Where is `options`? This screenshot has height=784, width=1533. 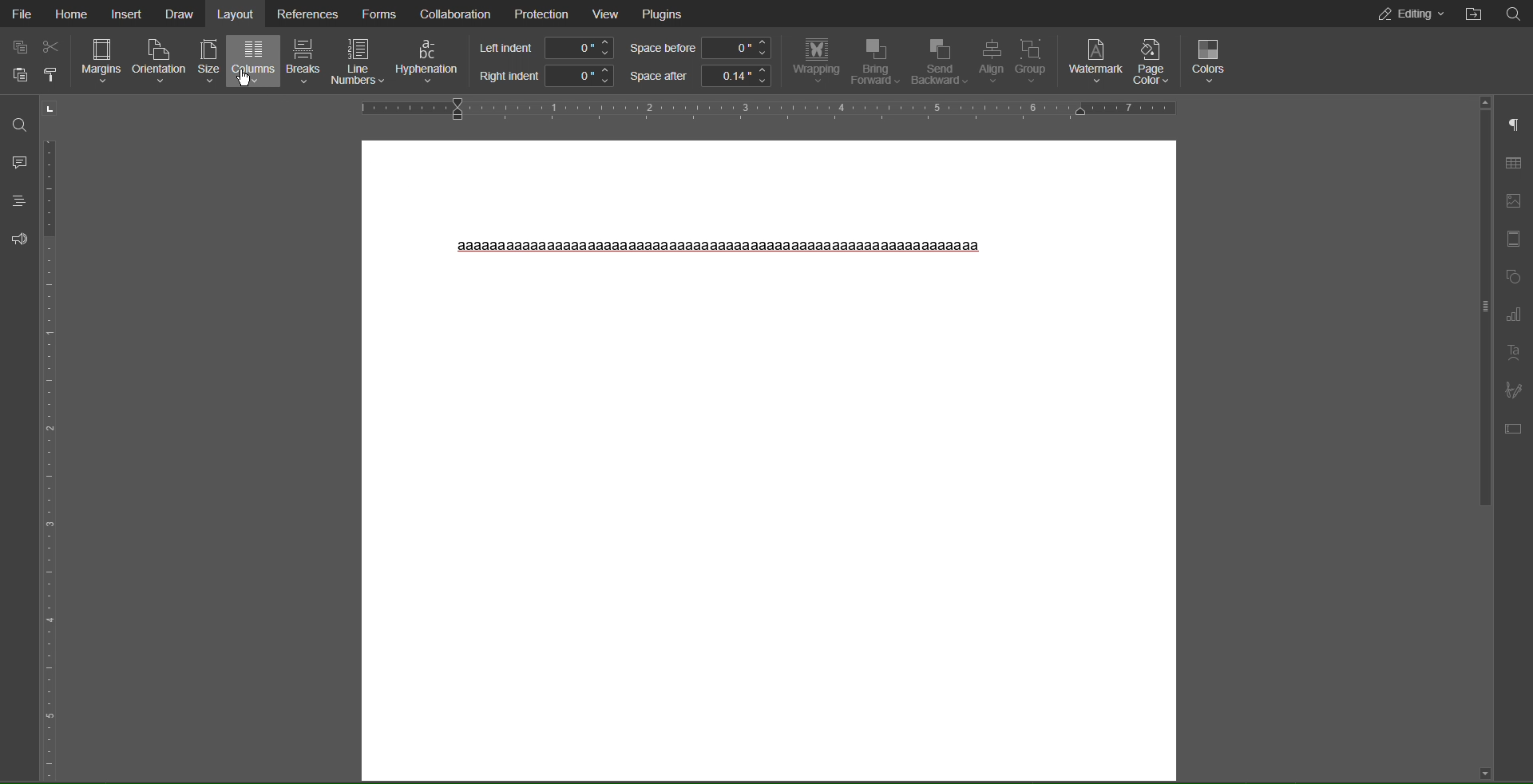 options is located at coordinates (57, 77).